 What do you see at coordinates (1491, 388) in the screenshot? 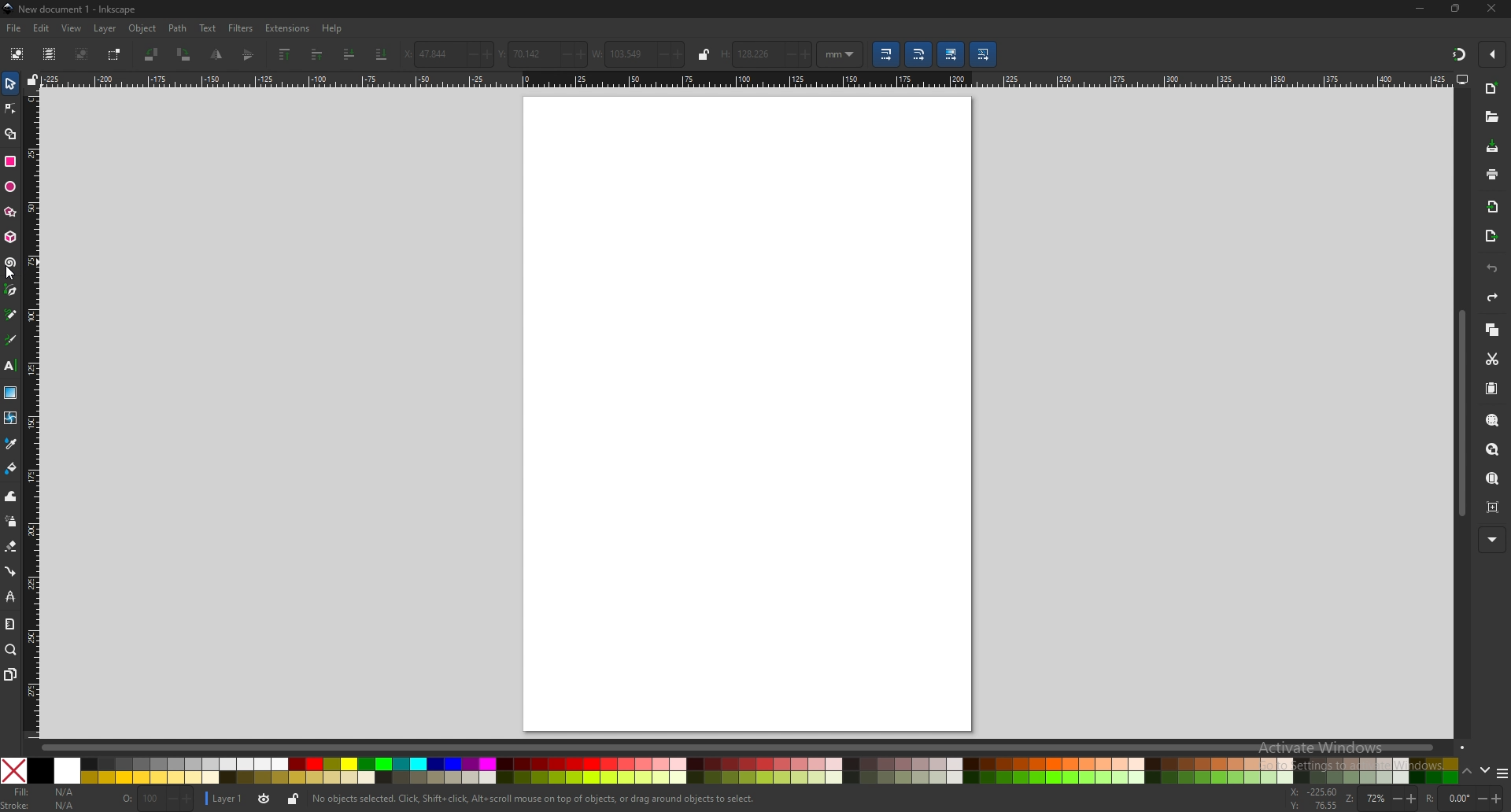
I see `paste` at bounding box center [1491, 388].